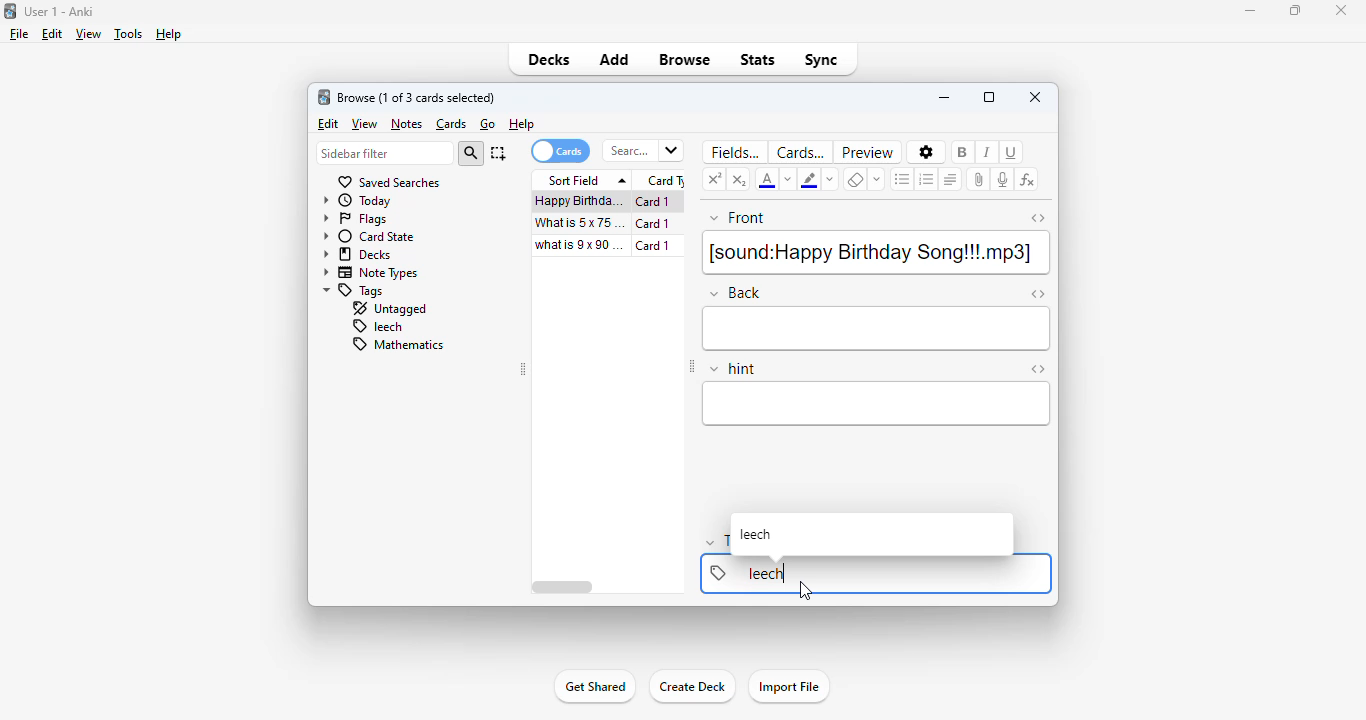 The image size is (1366, 720). I want to click on preview, so click(868, 152).